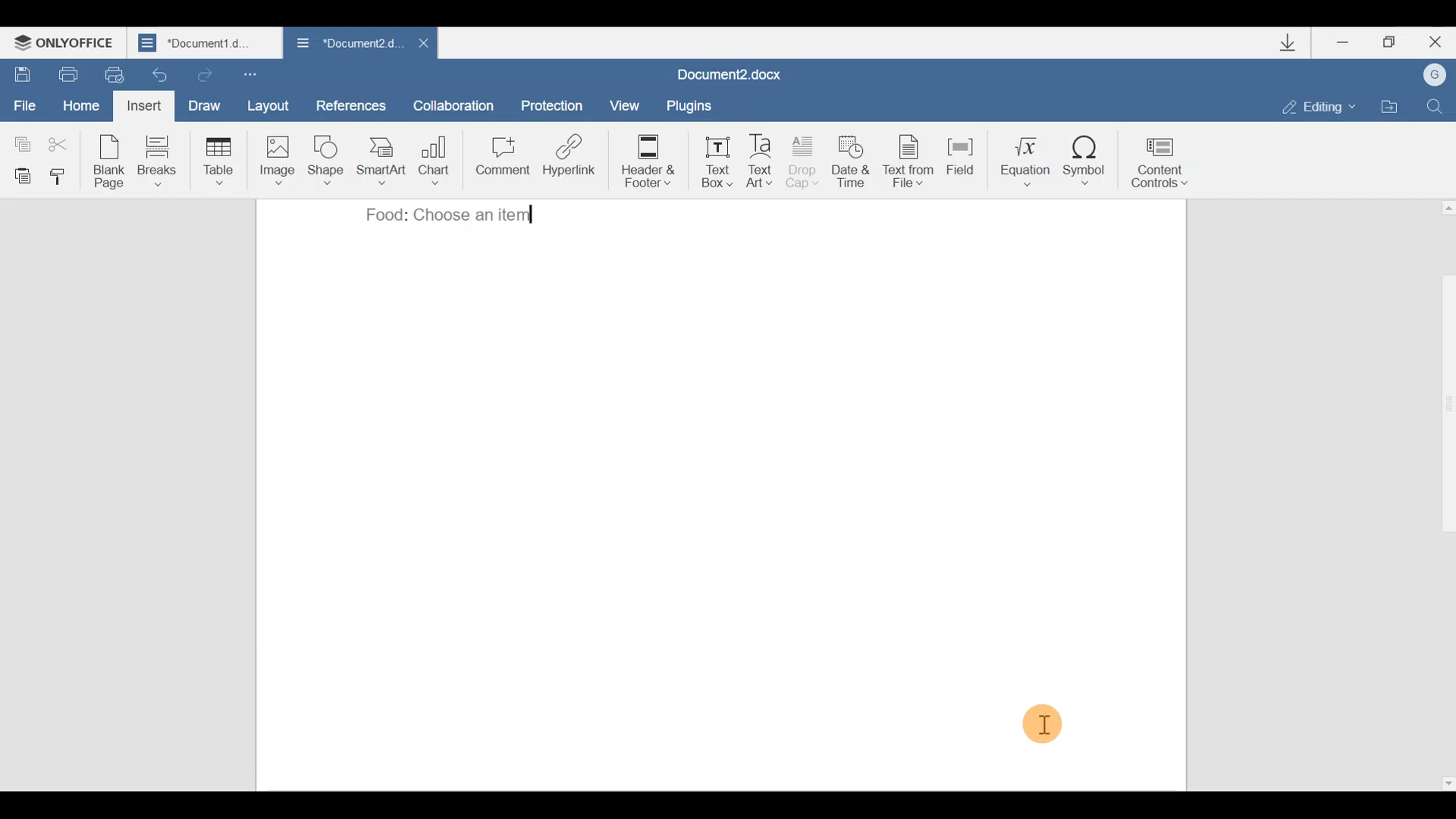 The height and width of the screenshot is (819, 1456). What do you see at coordinates (1435, 42) in the screenshot?
I see `Close` at bounding box center [1435, 42].